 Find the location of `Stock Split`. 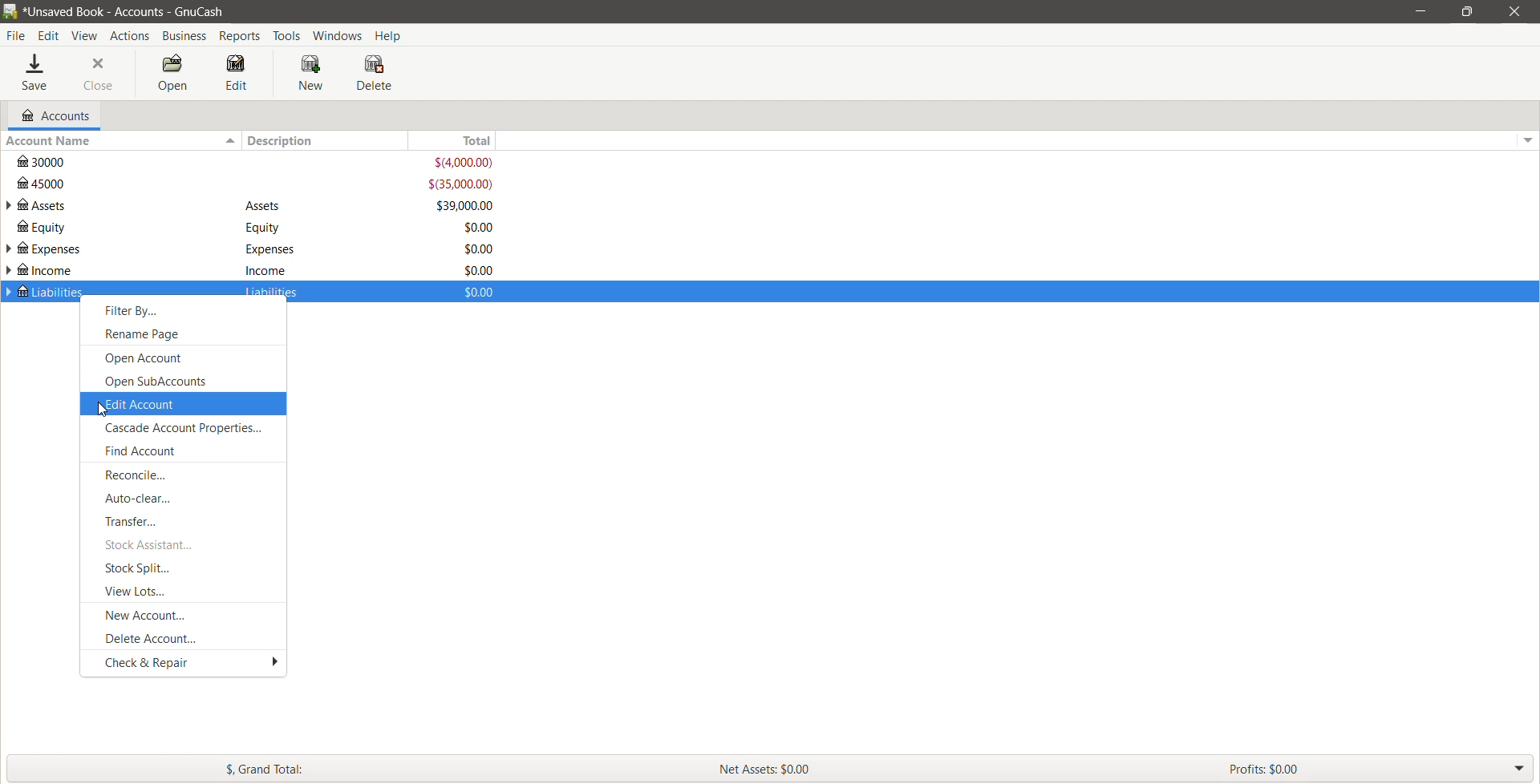

Stock Split is located at coordinates (143, 568).